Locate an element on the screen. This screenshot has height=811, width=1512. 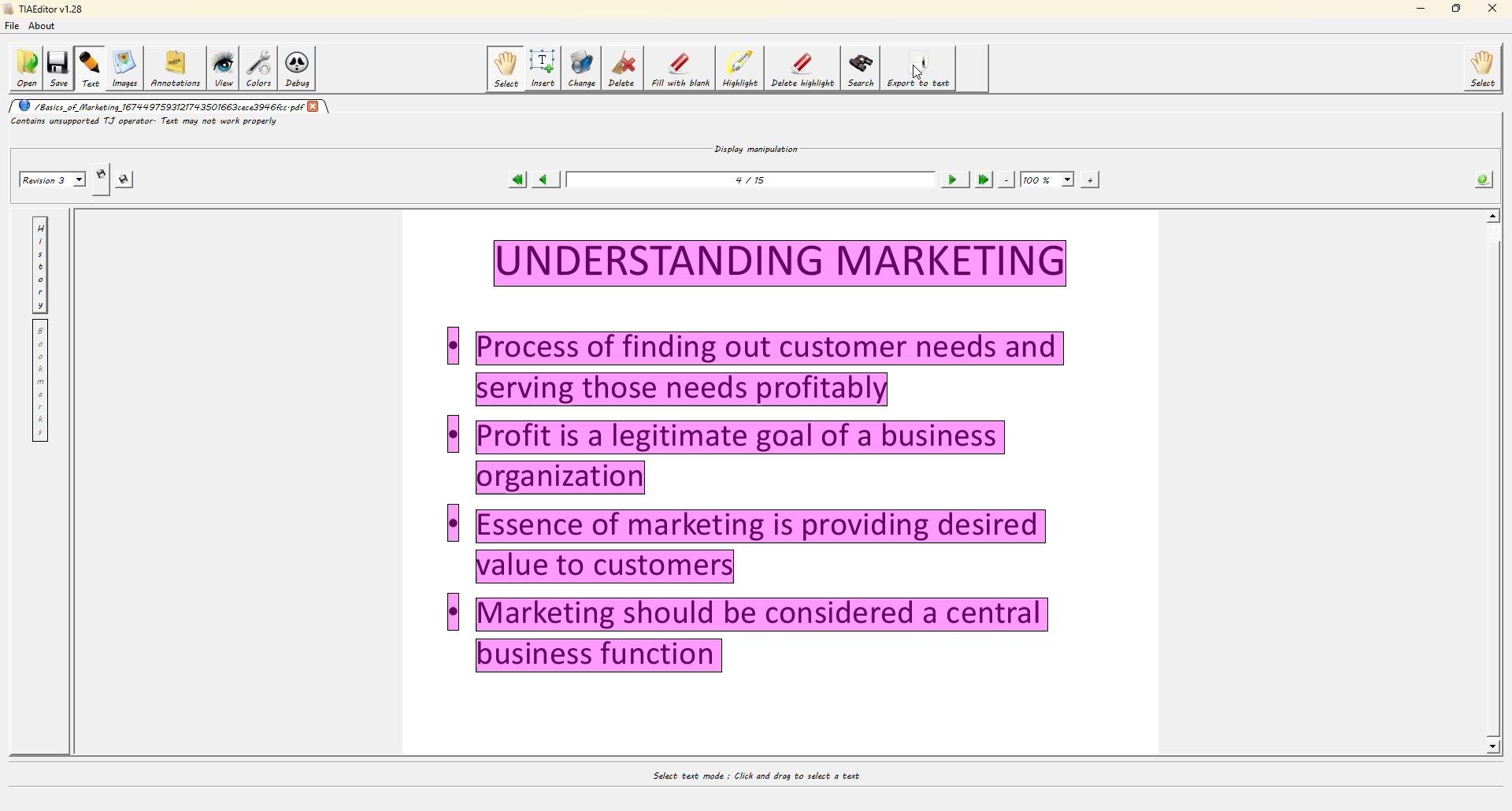
zoom out is located at coordinates (1007, 179).